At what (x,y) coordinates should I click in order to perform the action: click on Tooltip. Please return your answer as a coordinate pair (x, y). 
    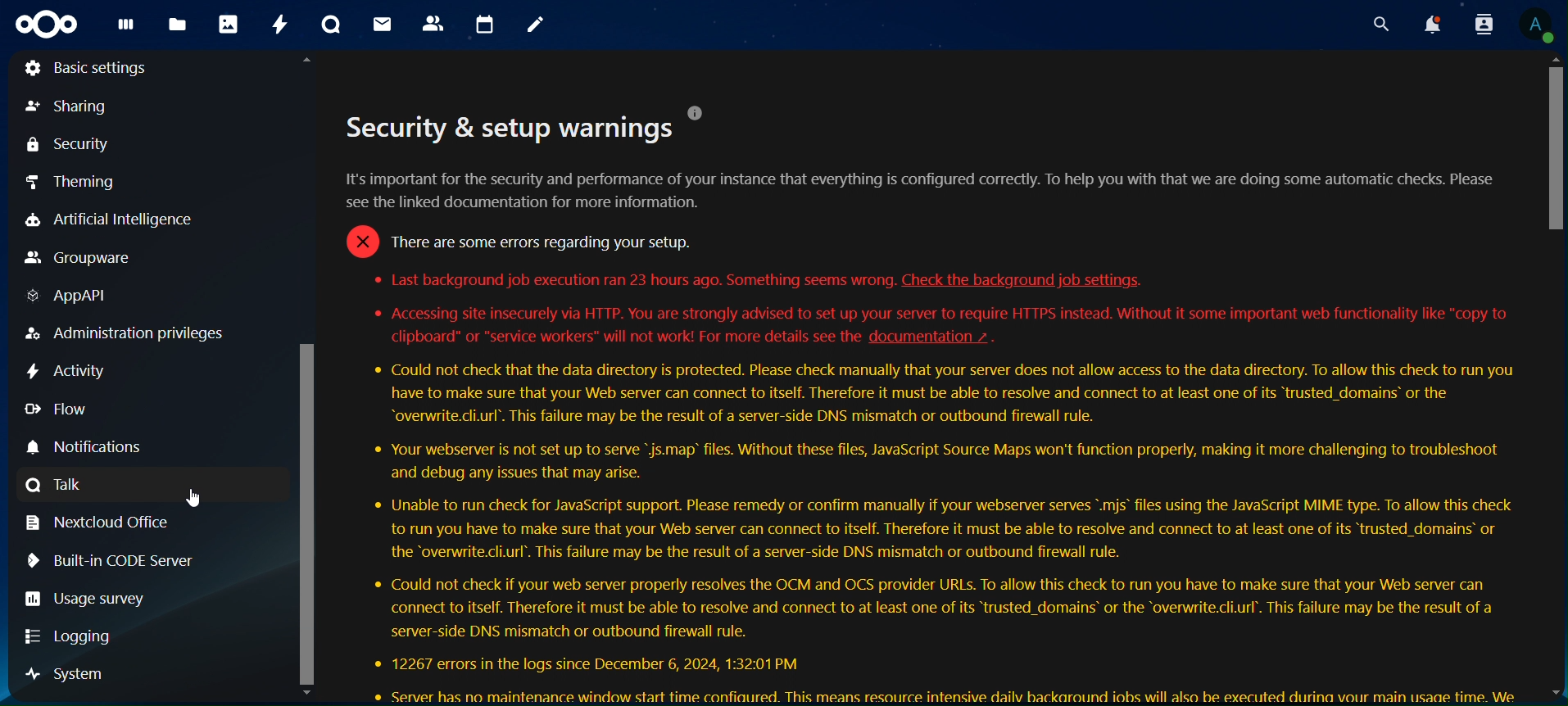
    Looking at the image, I should click on (698, 112).